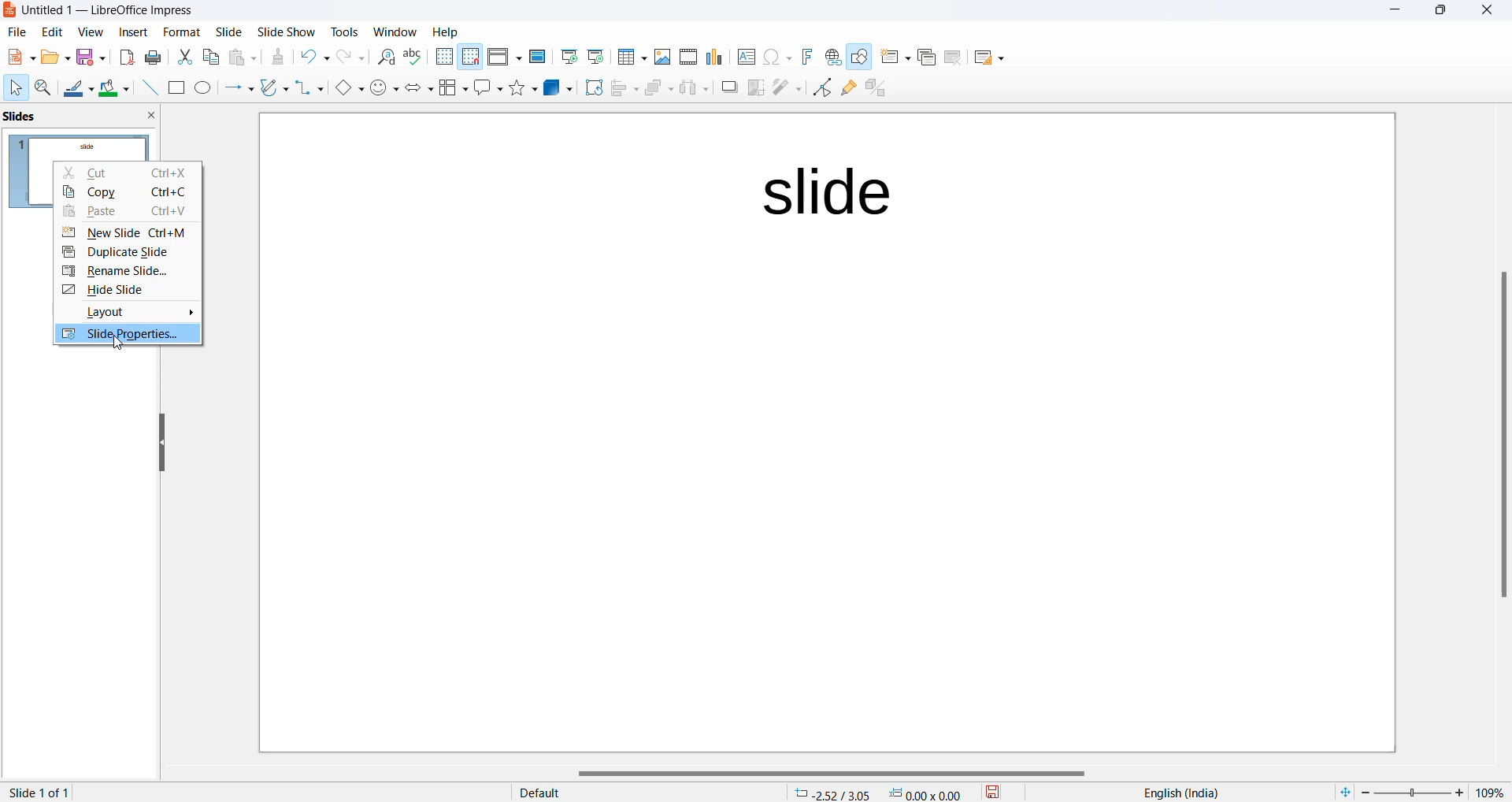 Image resolution: width=1512 pixels, height=802 pixels. What do you see at coordinates (351, 60) in the screenshot?
I see `redo ` at bounding box center [351, 60].